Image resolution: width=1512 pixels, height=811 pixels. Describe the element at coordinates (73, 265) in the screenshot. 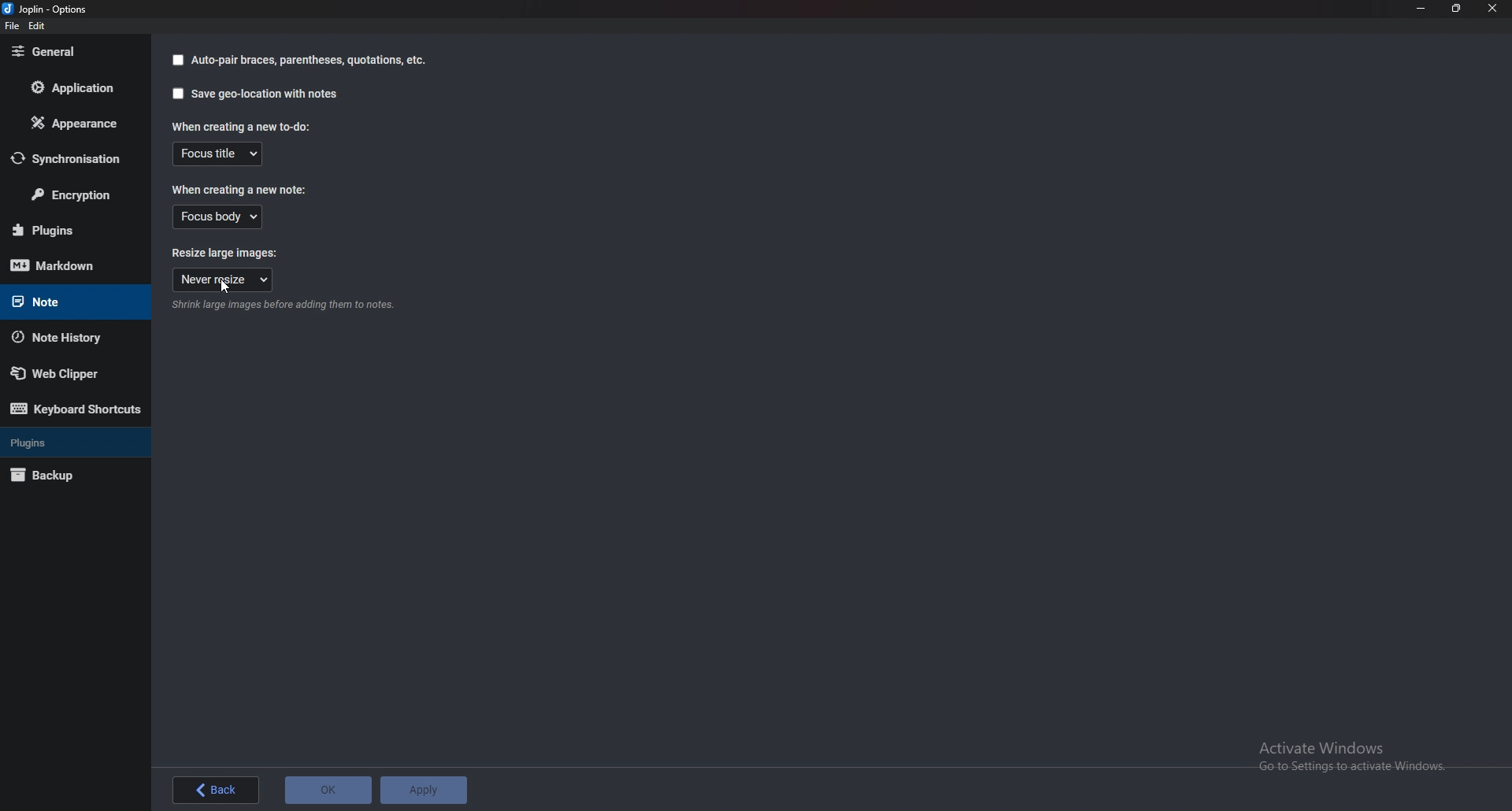

I see `Mark down` at that location.